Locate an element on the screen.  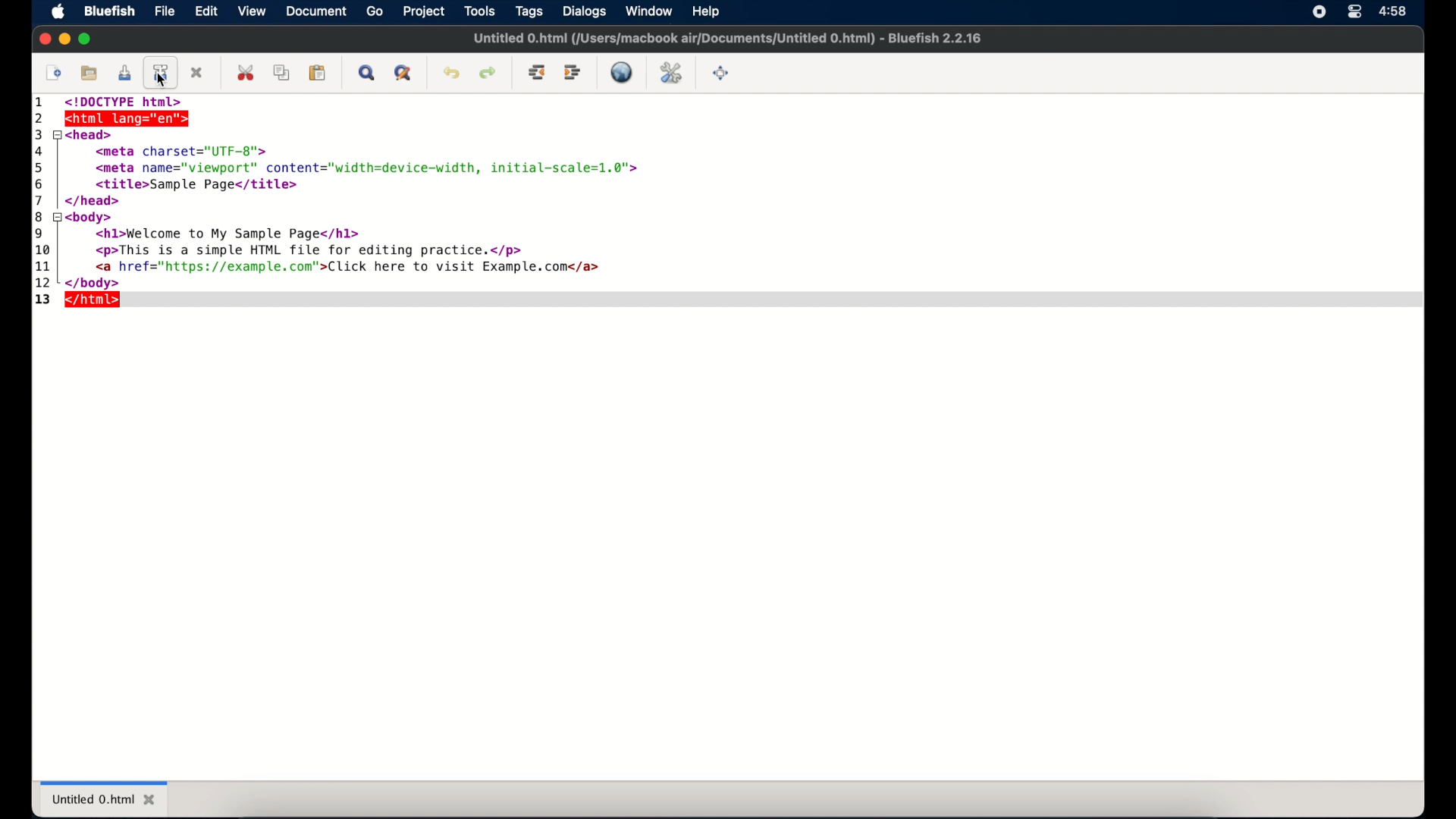
<title>Sample Page</title> is located at coordinates (190, 185).